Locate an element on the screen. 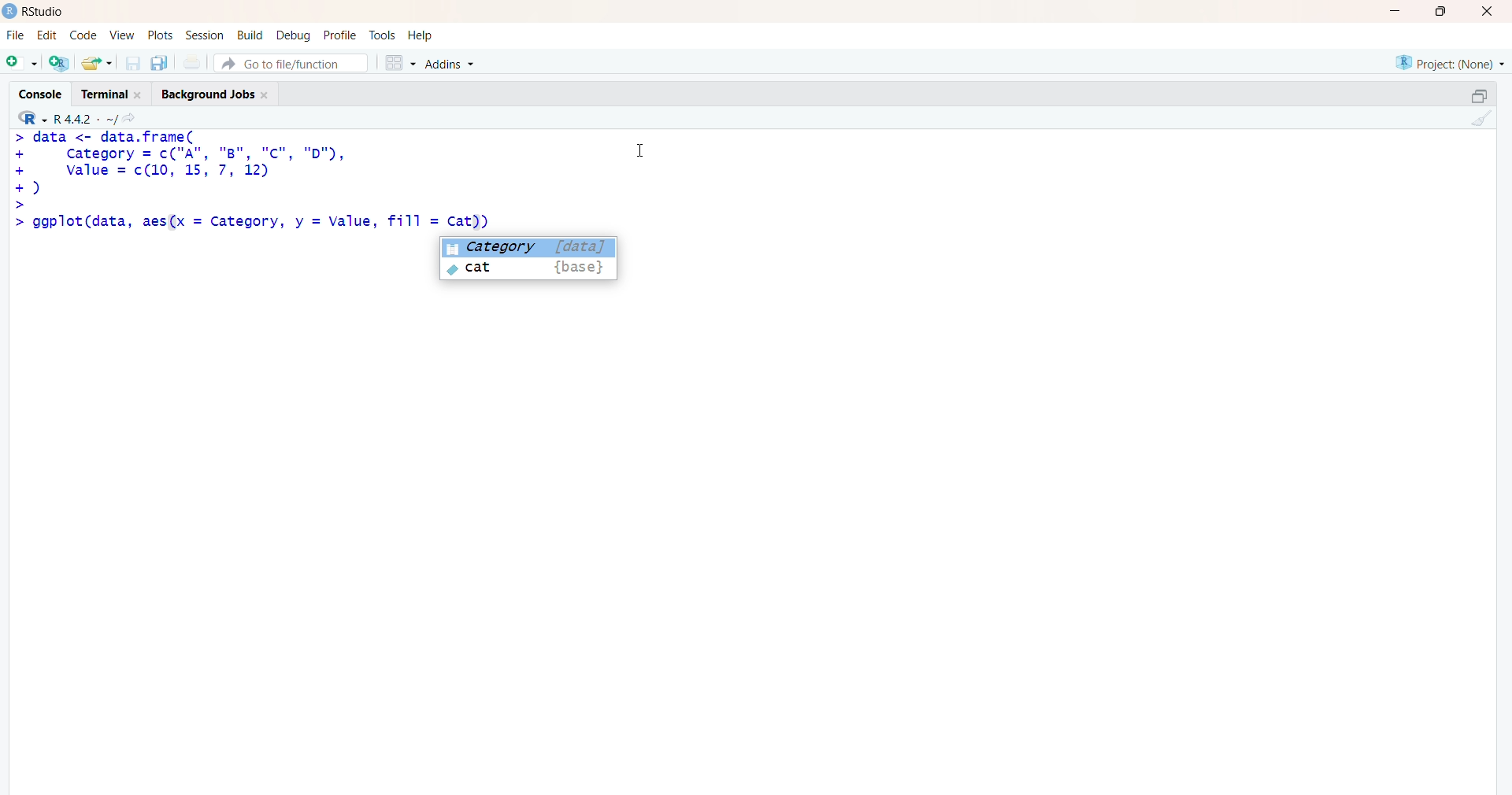  Addins is located at coordinates (453, 65).